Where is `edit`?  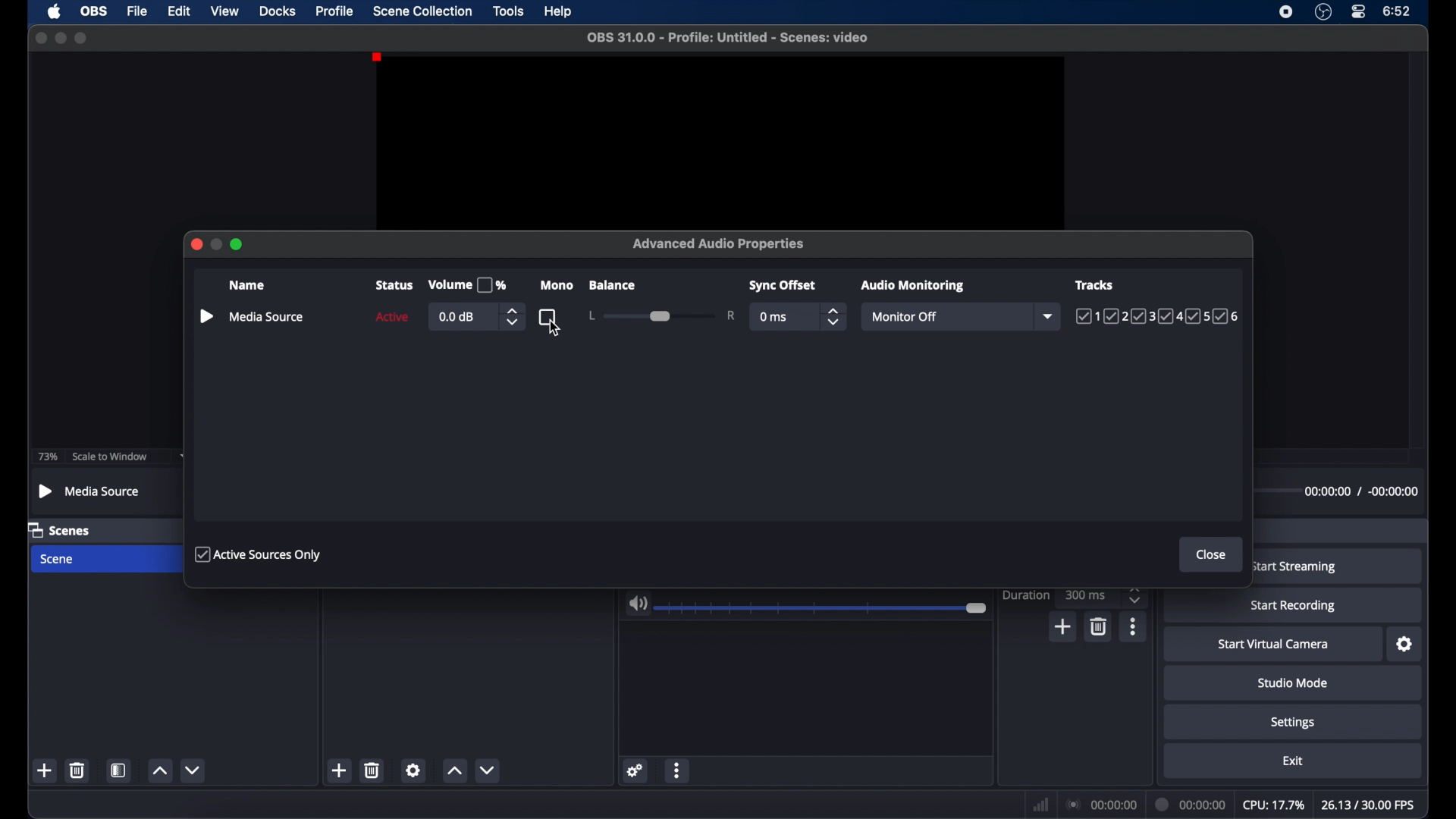
edit is located at coordinates (178, 11).